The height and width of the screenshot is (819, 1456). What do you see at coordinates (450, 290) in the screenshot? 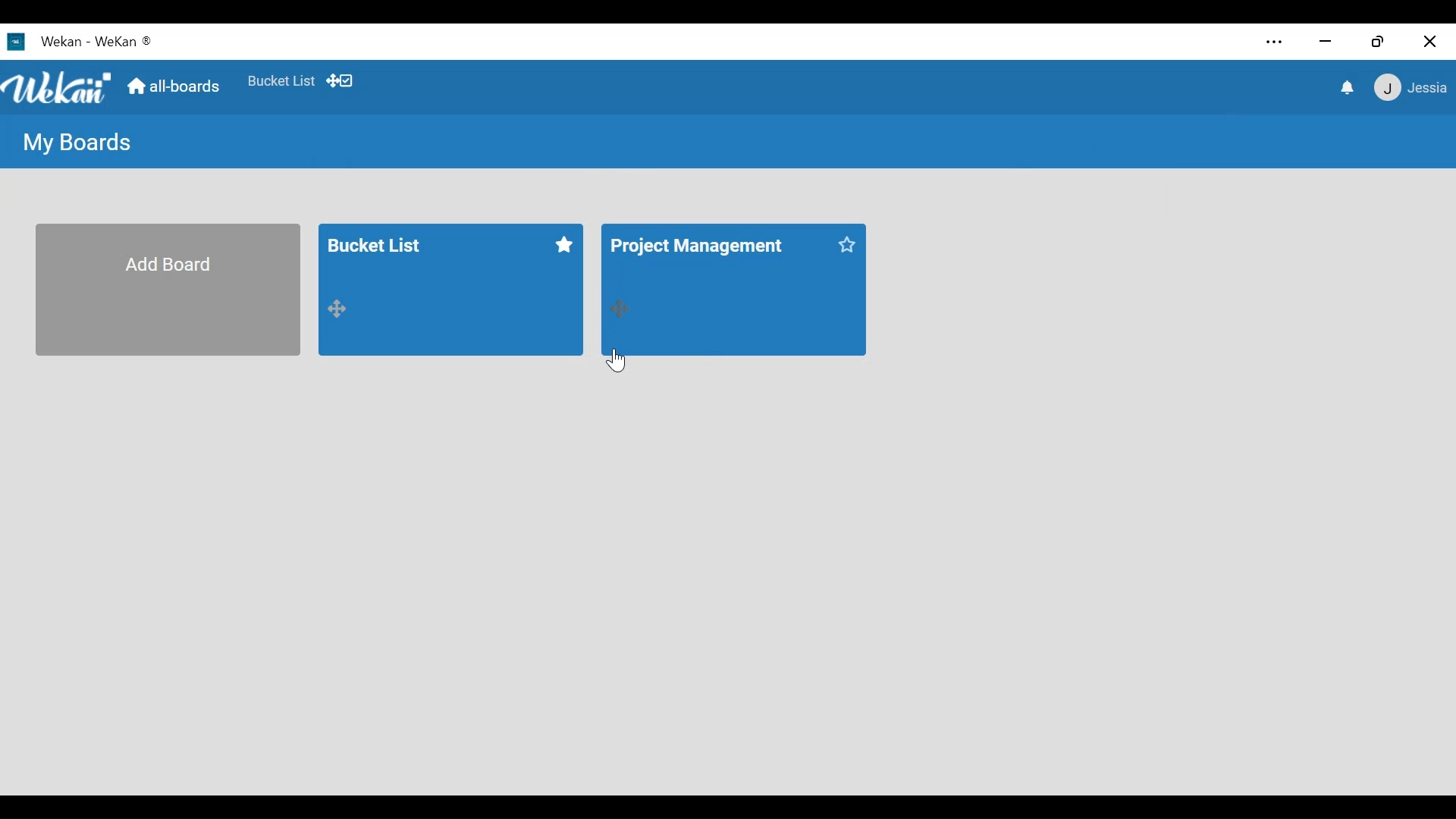
I see `Board` at bounding box center [450, 290].